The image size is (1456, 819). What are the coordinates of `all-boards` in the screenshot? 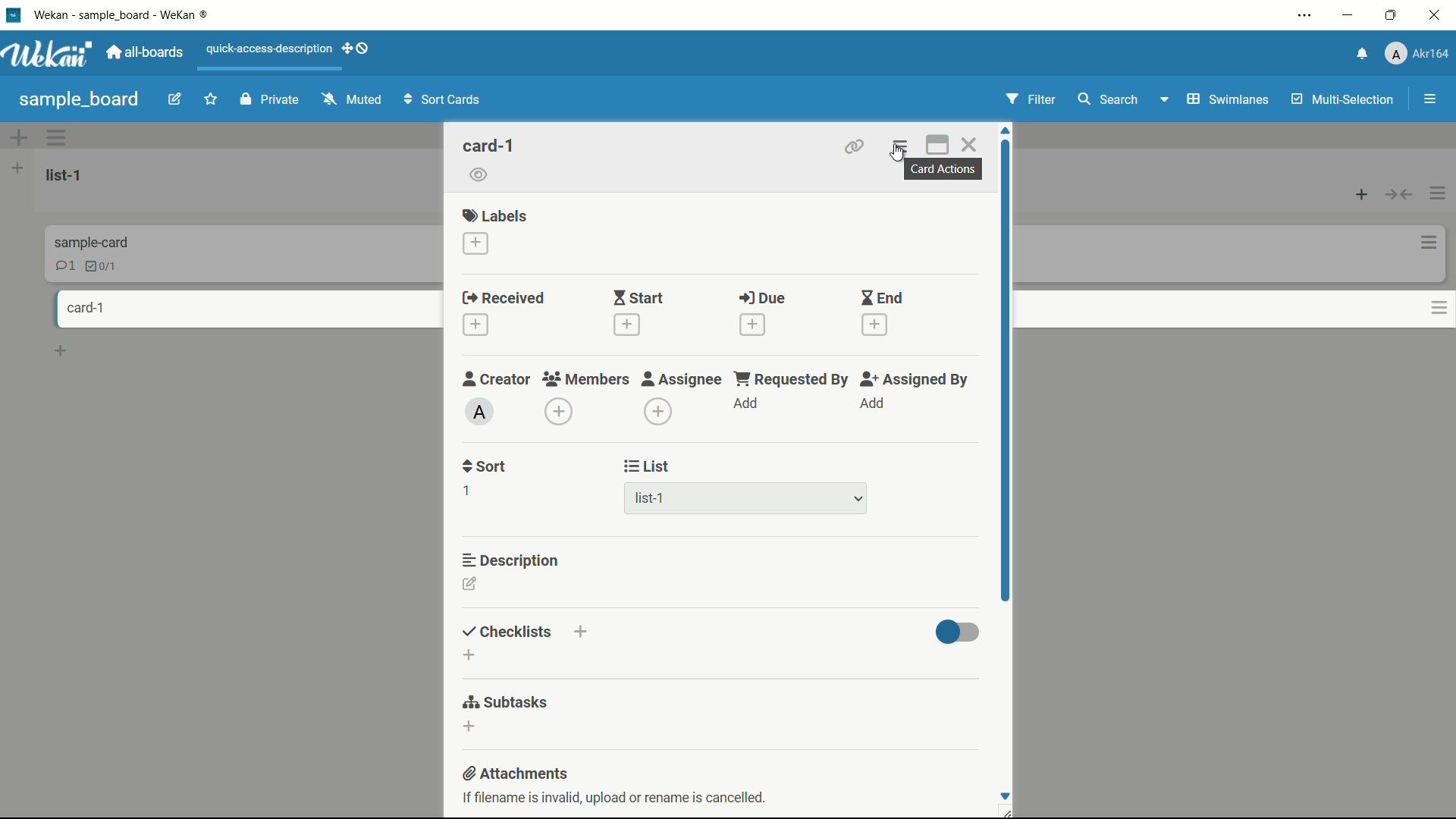 It's located at (145, 53).